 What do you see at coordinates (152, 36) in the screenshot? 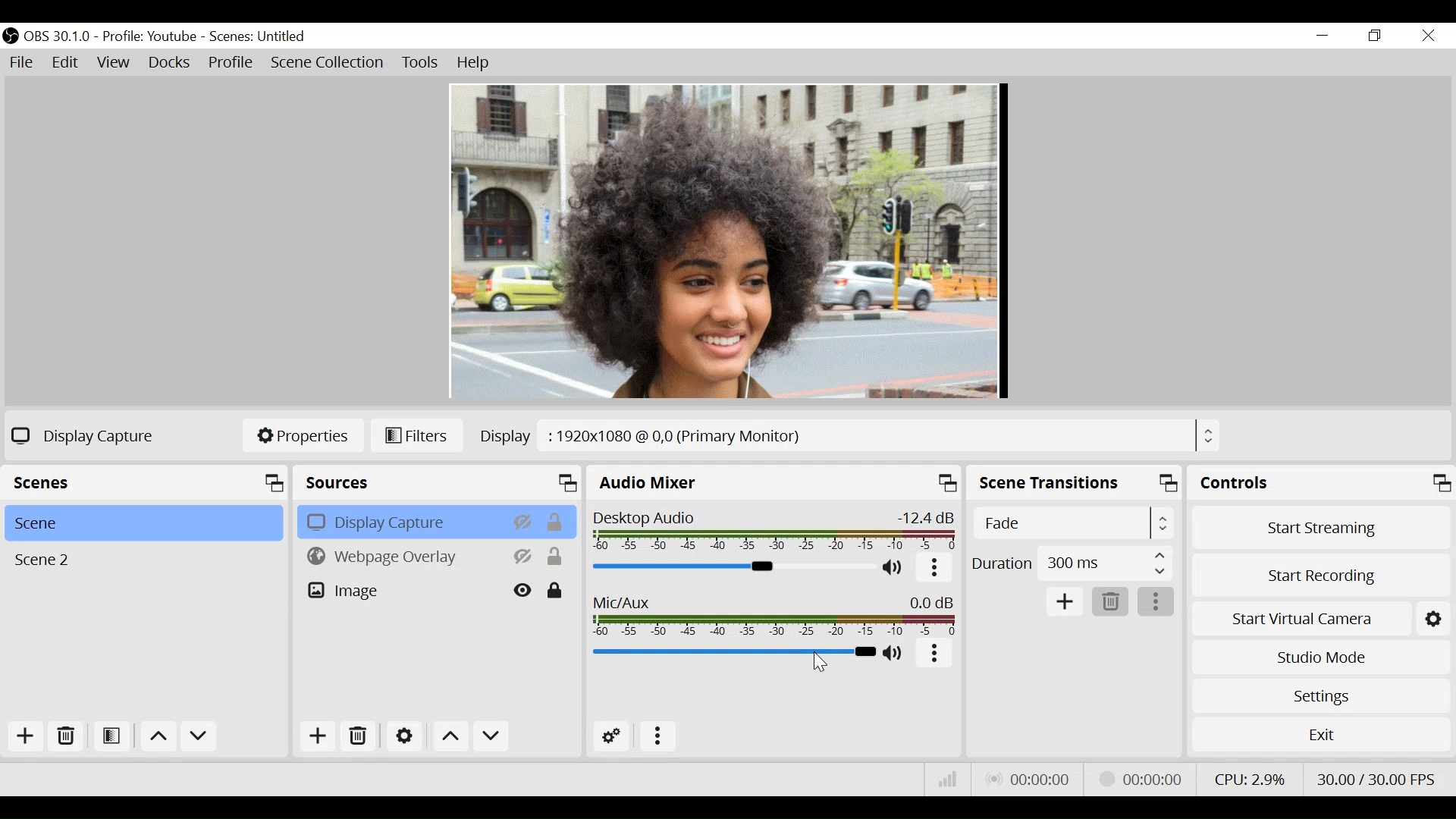
I see `Profile ` at bounding box center [152, 36].